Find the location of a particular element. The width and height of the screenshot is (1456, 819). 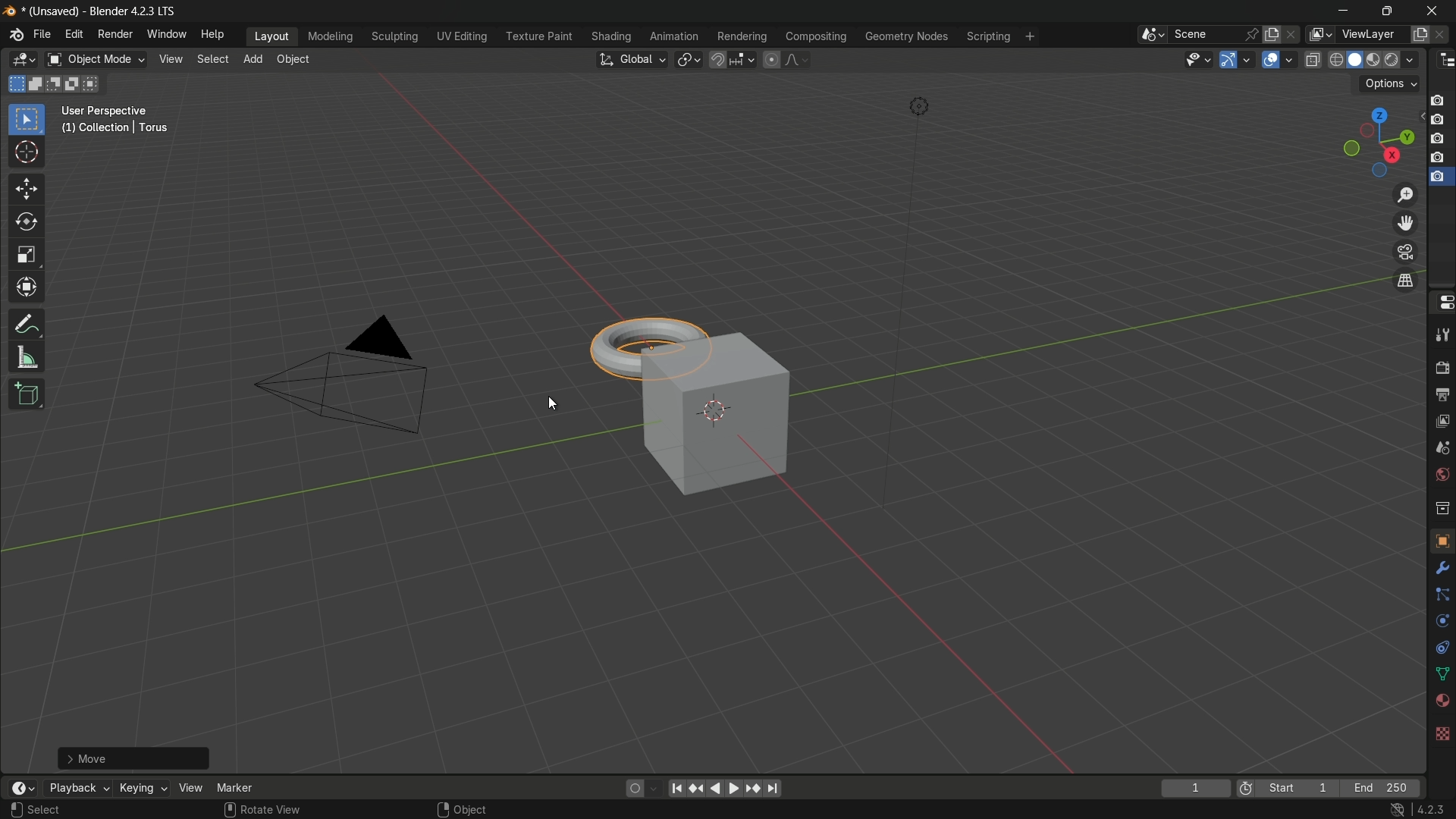

layer 1 is located at coordinates (1437, 101).